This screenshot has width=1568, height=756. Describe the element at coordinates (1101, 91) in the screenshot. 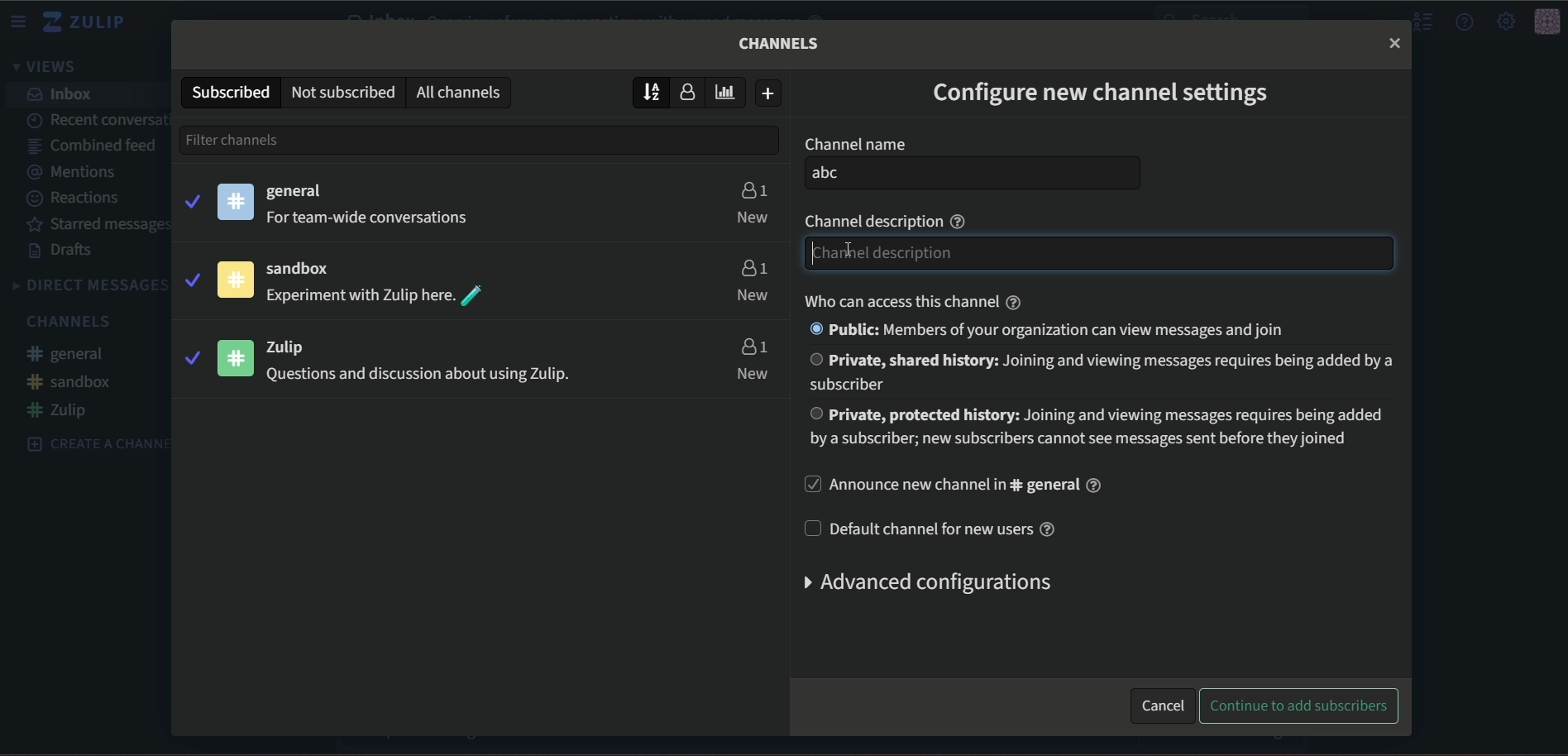

I see `Configure new channel settings` at that location.